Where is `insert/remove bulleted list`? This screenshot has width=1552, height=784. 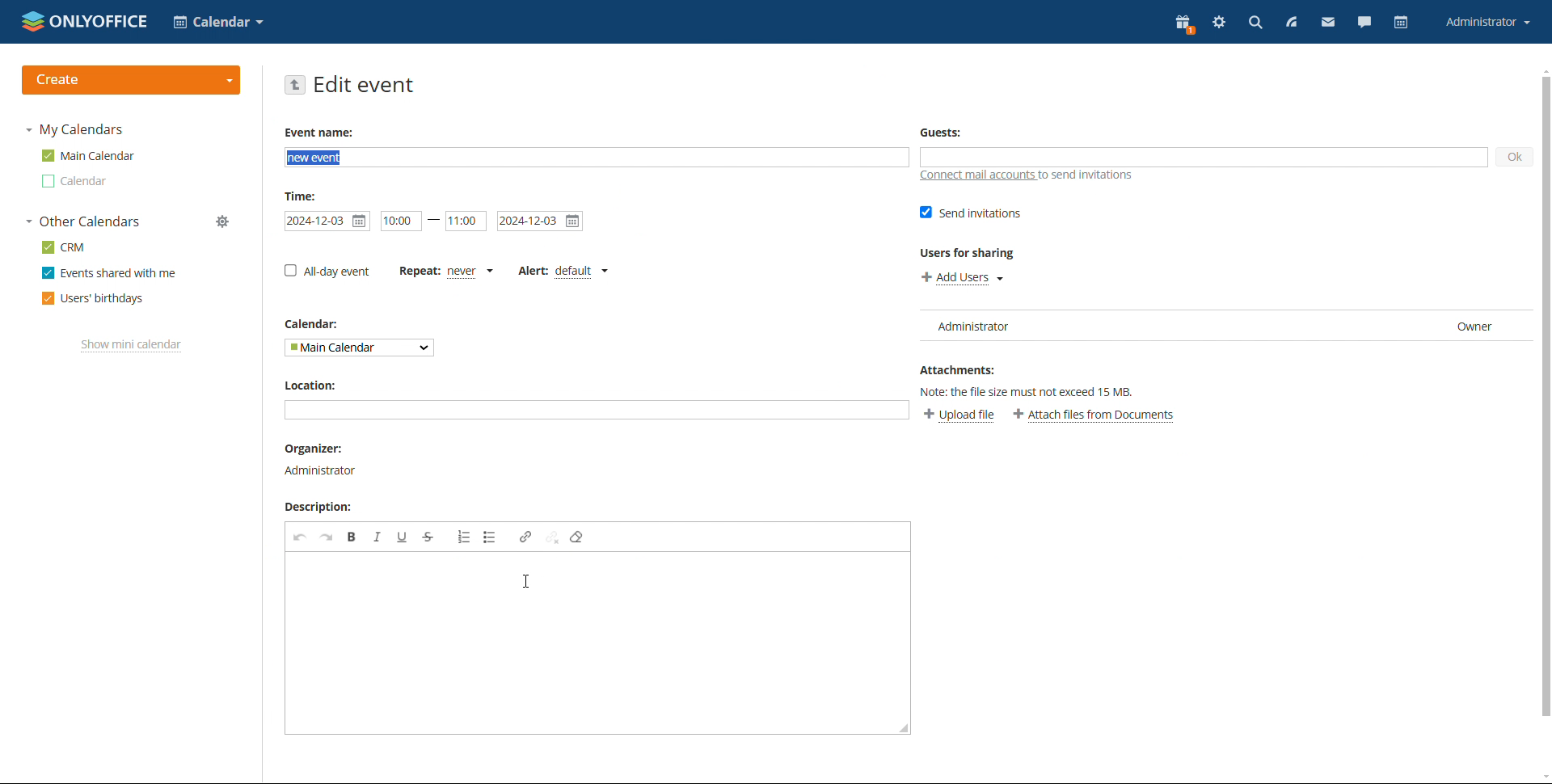
insert/remove bulleted list is located at coordinates (492, 537).